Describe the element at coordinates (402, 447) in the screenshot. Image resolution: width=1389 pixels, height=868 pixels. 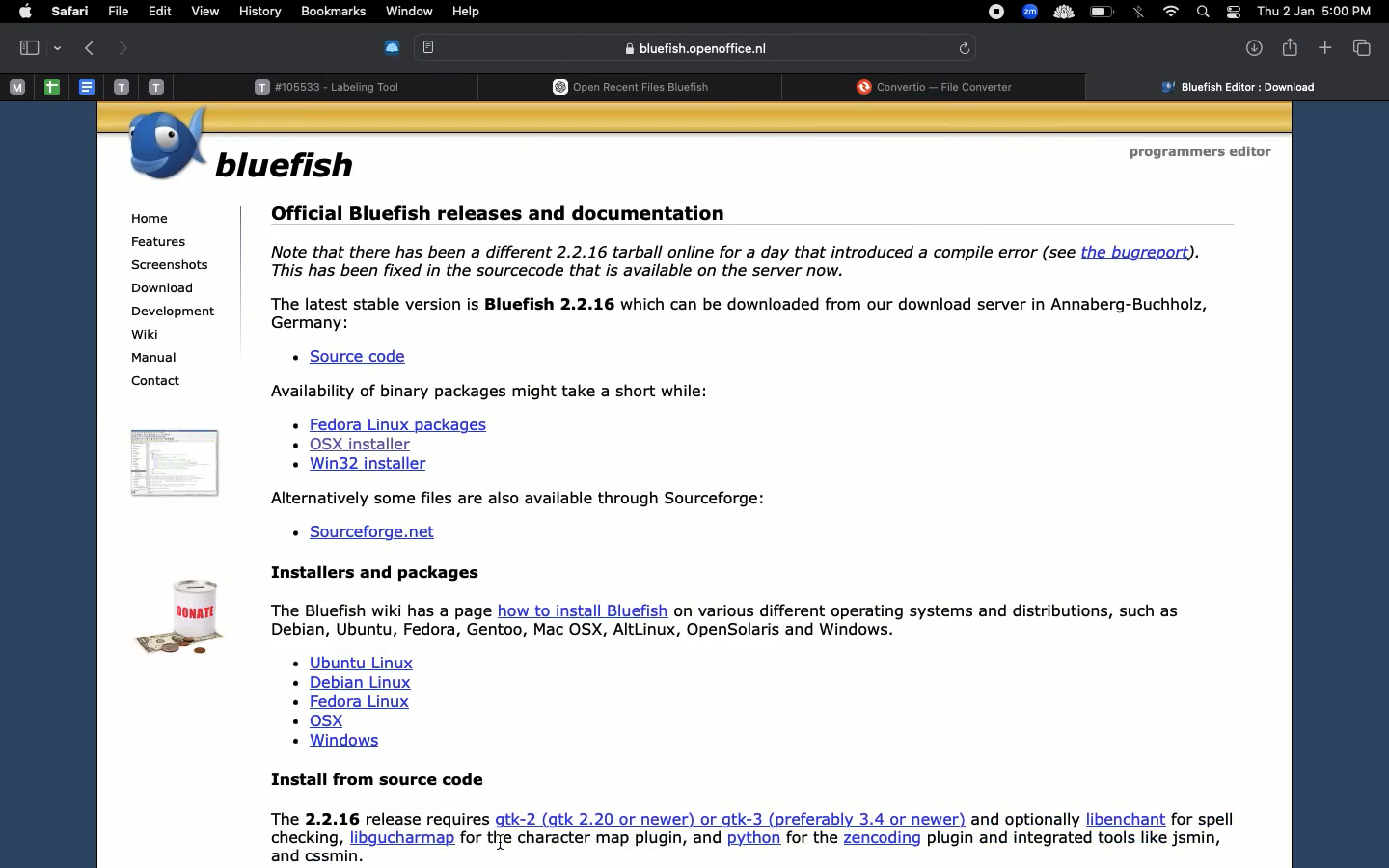
I see `links` at that location.